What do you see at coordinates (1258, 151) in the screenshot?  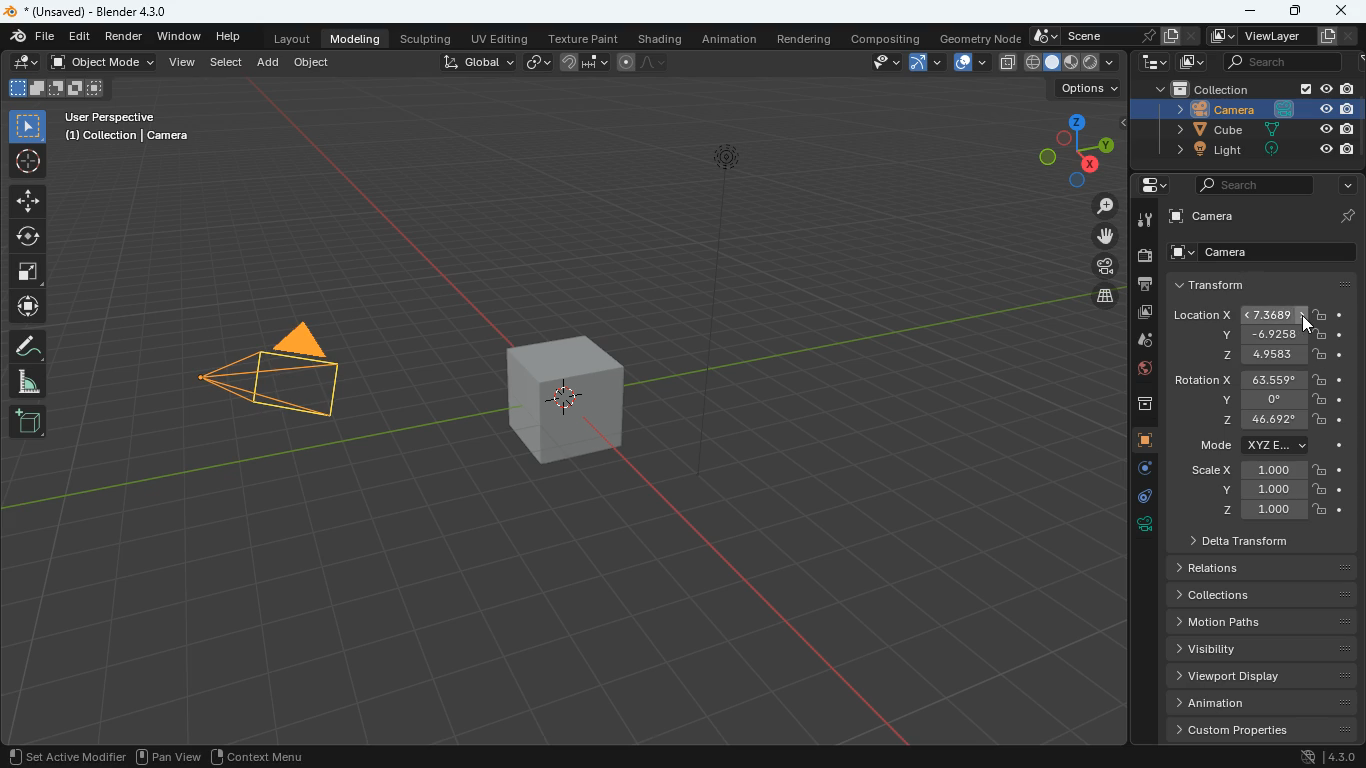 I see `light` at bounding box center [1258, 151].